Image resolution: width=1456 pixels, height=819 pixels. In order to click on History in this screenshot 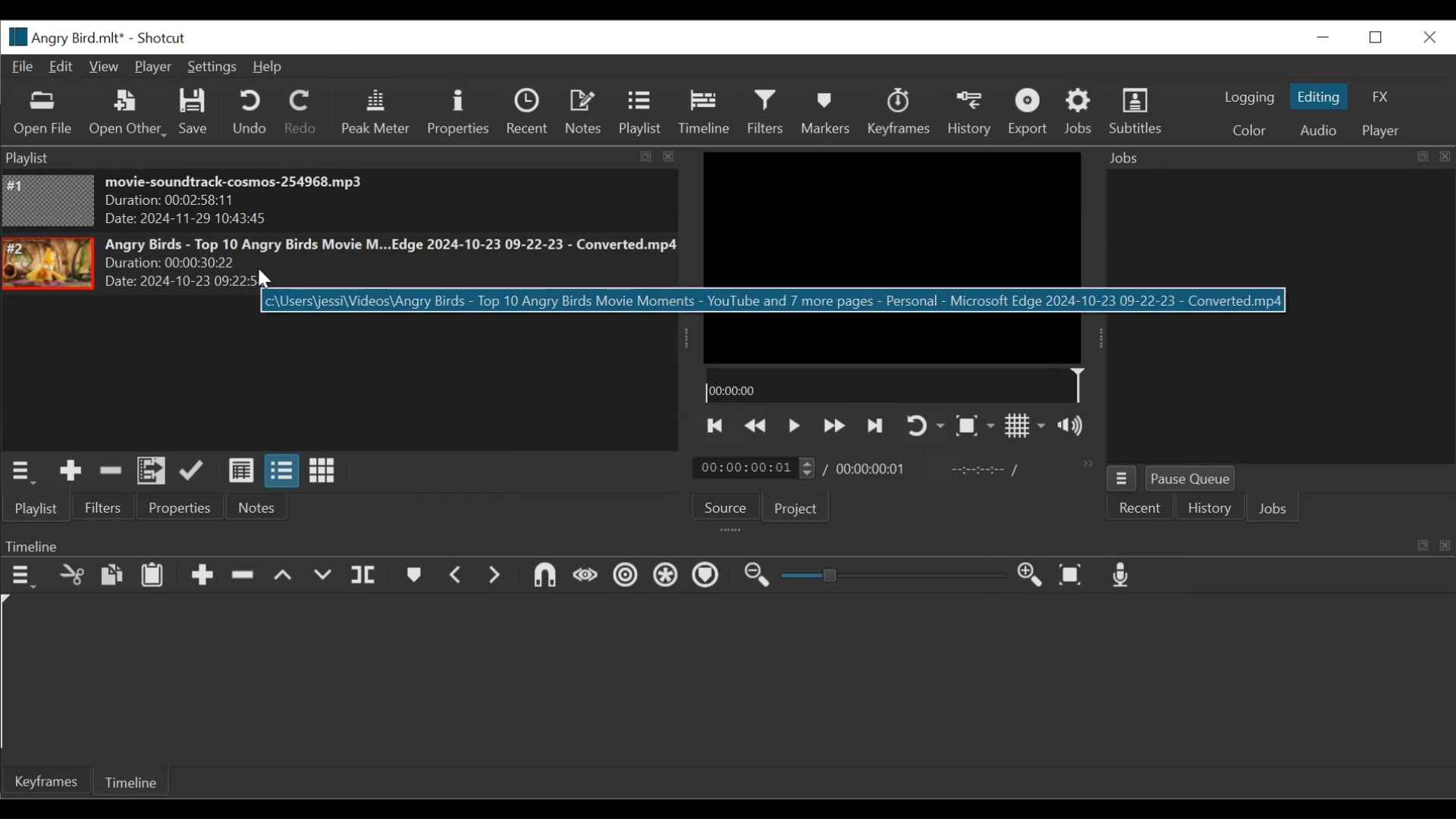, I will do `click(968, 113)`.